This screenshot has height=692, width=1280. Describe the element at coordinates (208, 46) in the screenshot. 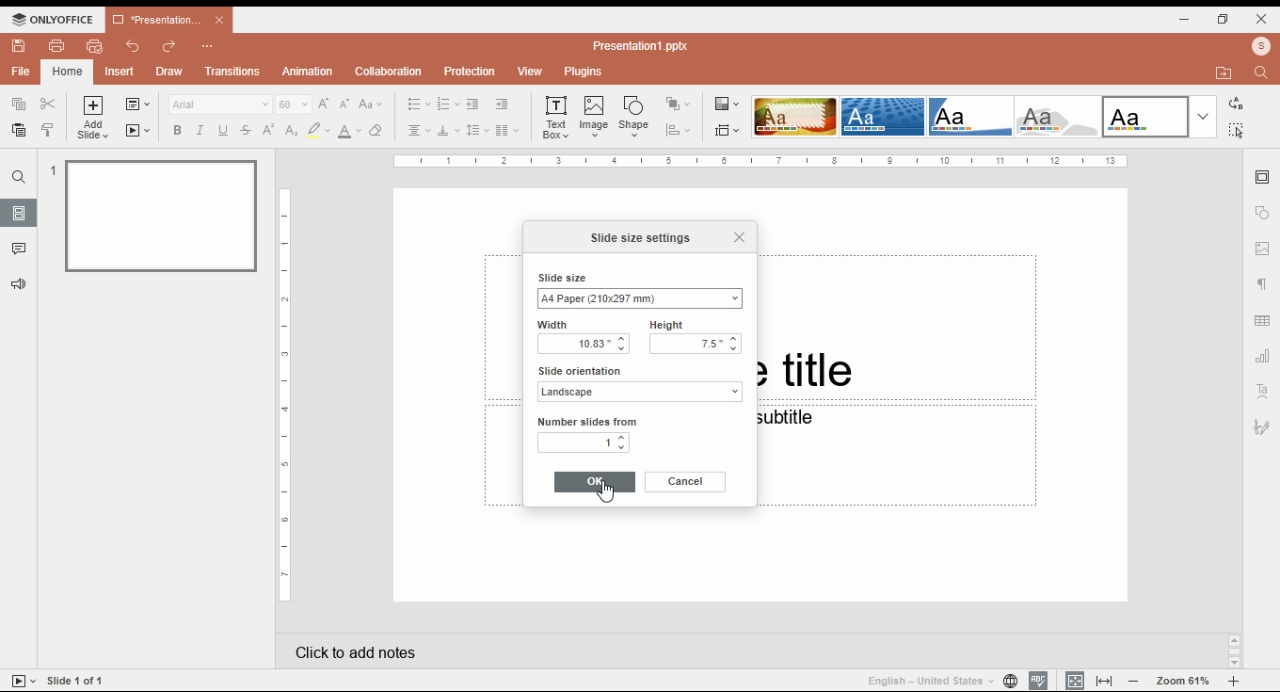

I see `Customize quick access` at that location.